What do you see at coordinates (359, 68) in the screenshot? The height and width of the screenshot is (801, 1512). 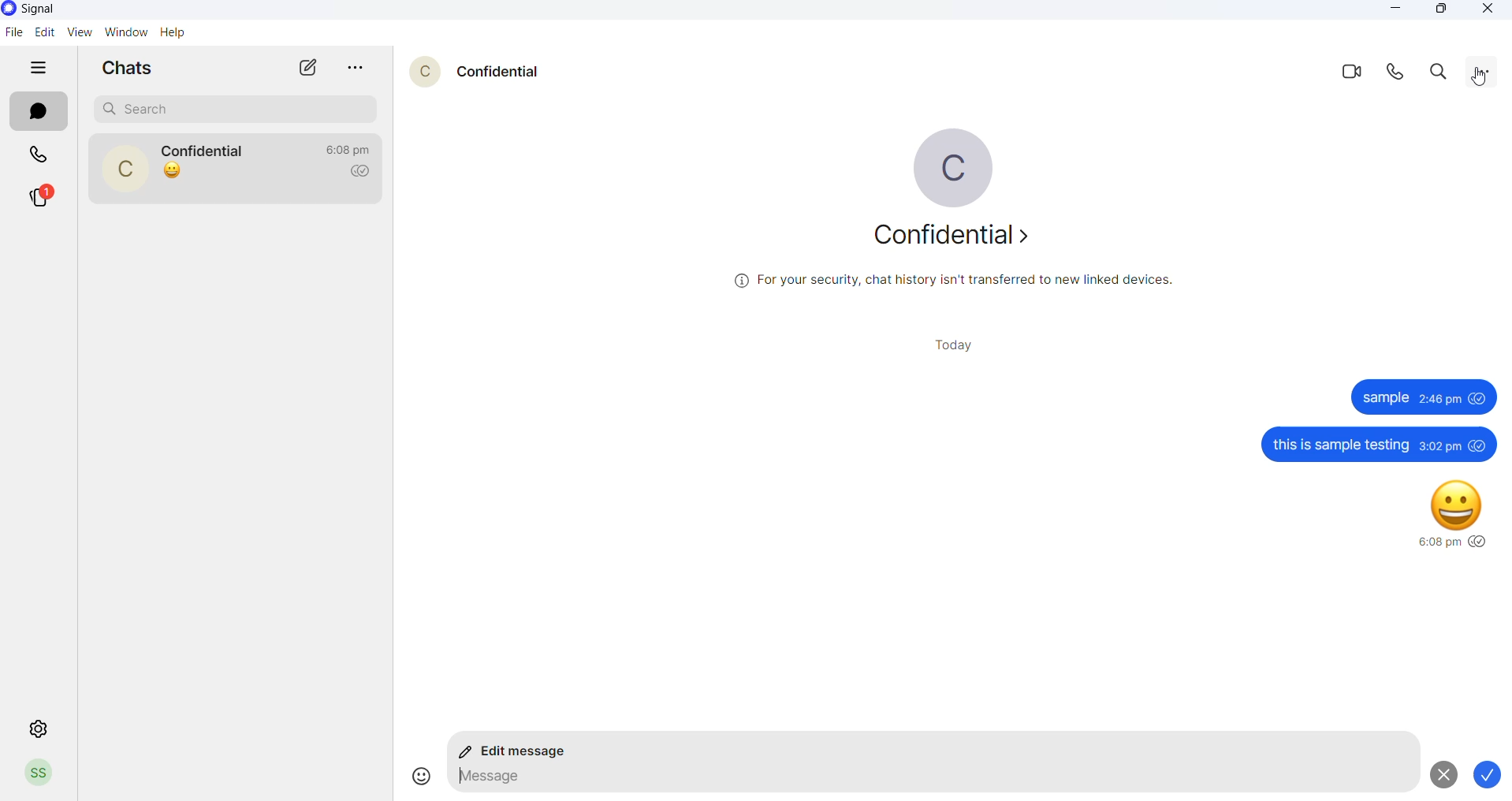 I see `more options` at bounding box center [359, 68].